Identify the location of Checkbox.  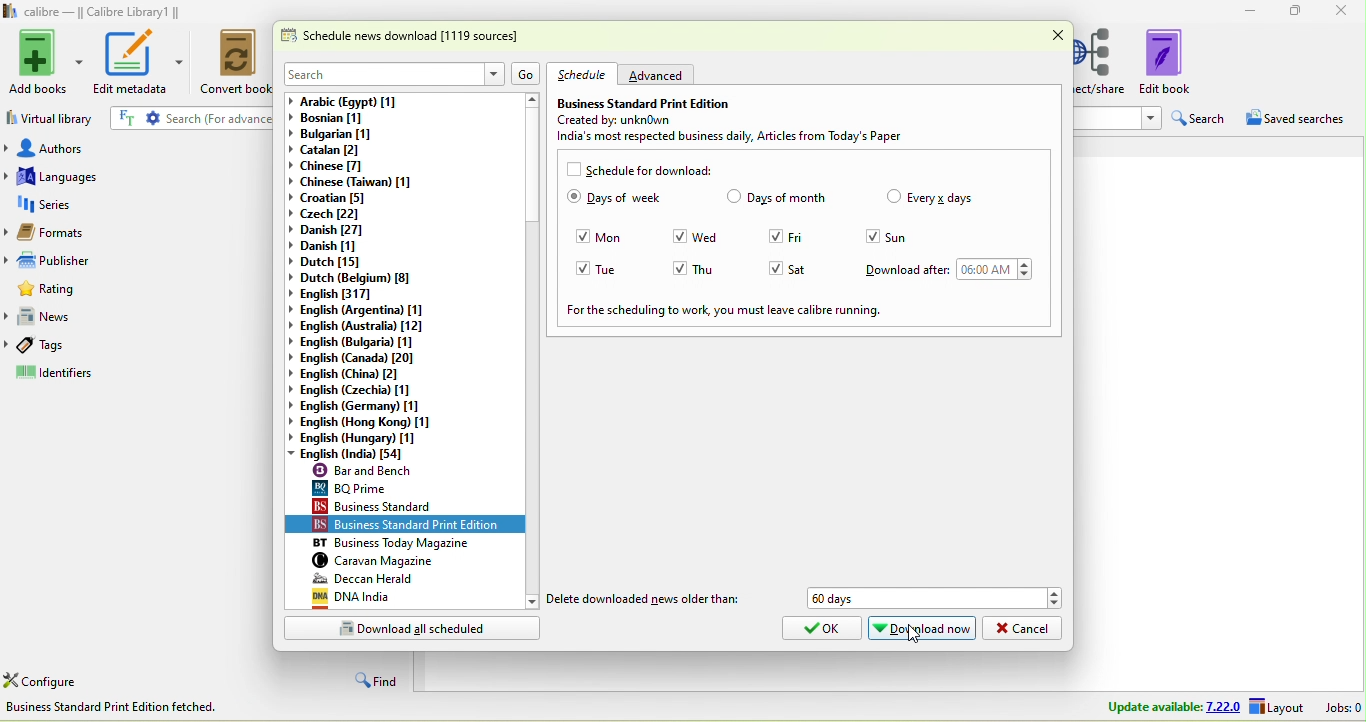
(869, 238).